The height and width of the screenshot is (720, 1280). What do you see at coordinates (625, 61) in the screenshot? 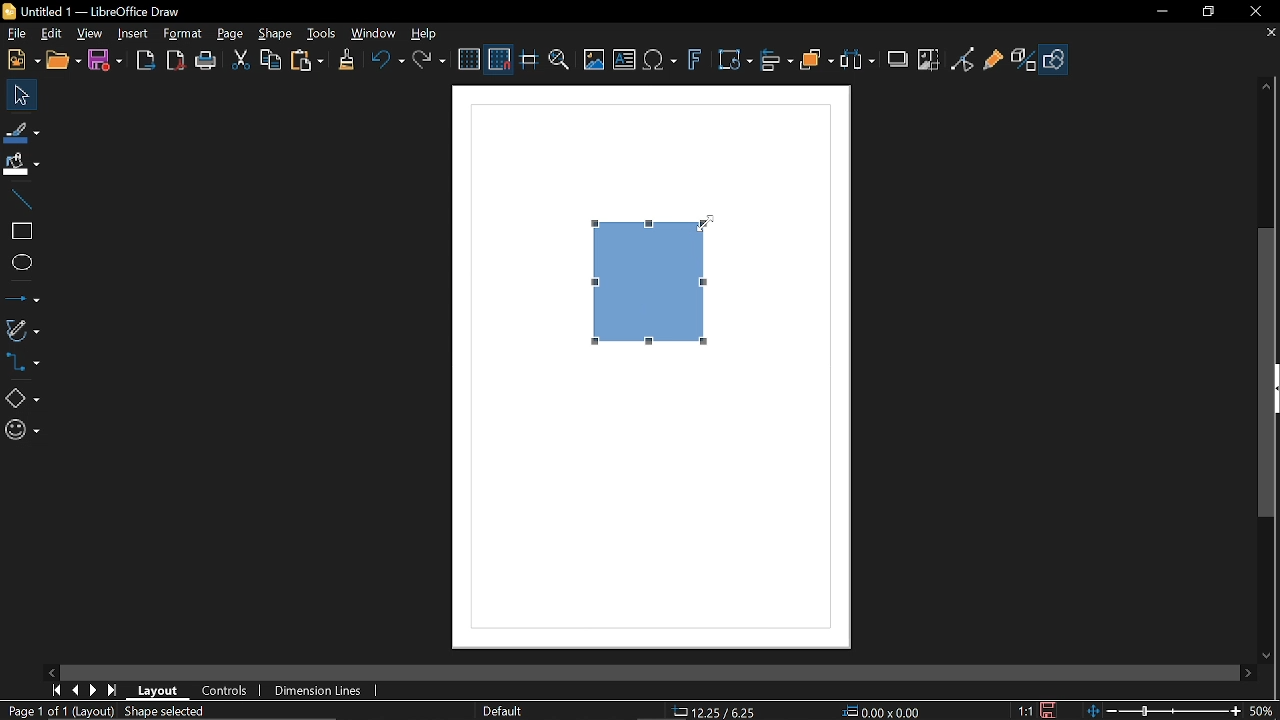
I see `Add text` at bounding box center [625, 61].